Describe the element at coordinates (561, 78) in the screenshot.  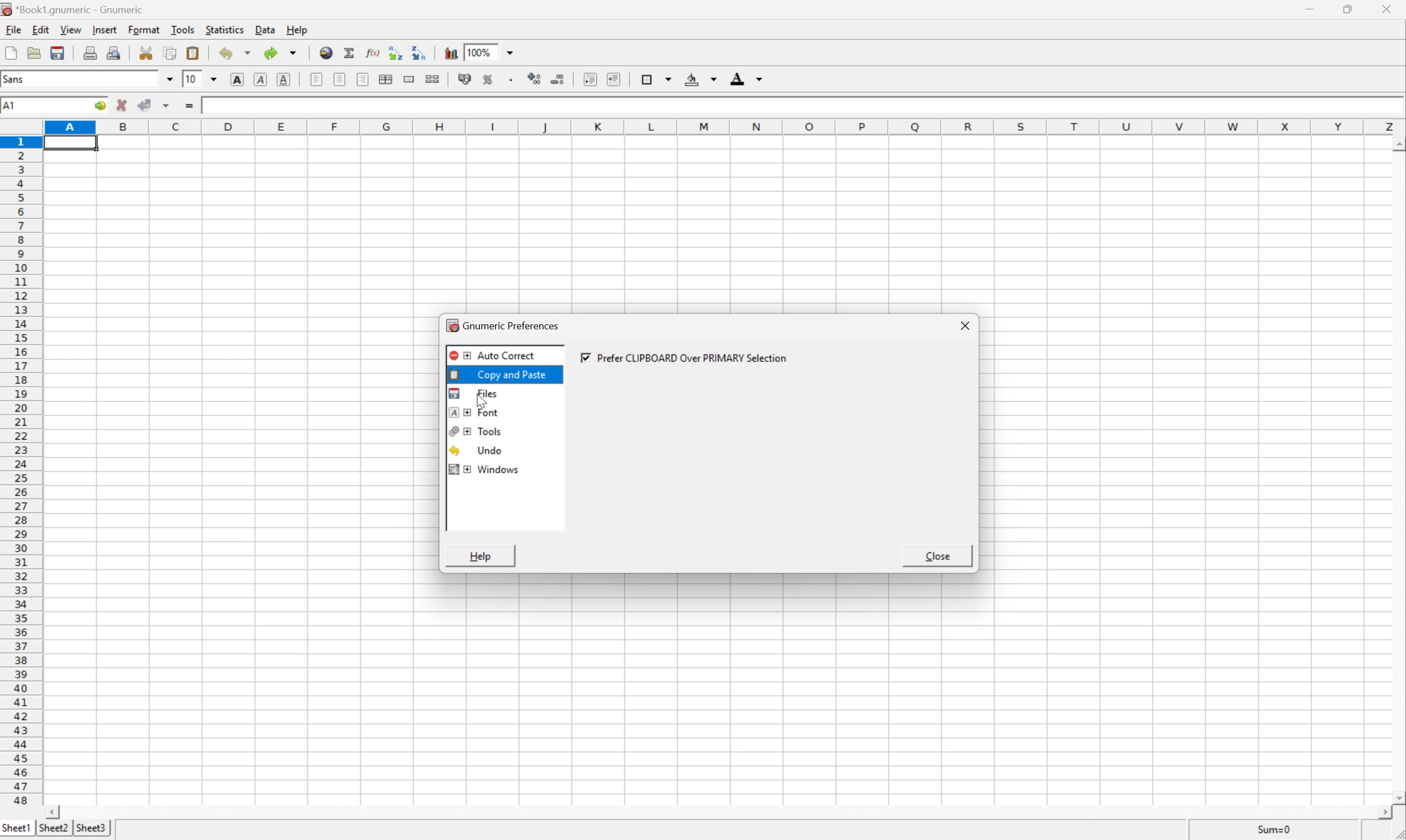
I see `decrease numbers of decimals displayed` at that location.